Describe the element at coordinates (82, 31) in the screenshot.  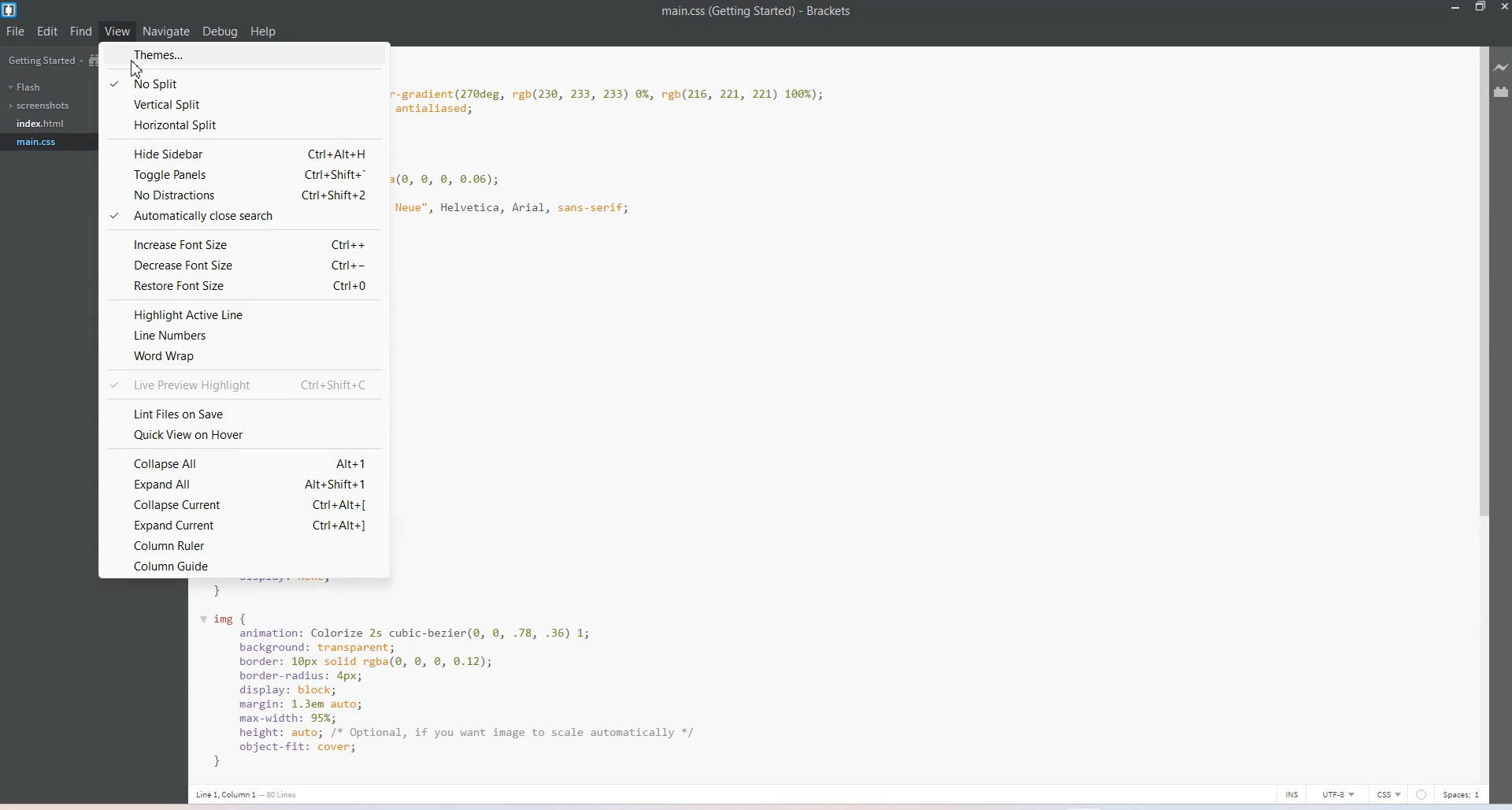
I see `Find` at that location.